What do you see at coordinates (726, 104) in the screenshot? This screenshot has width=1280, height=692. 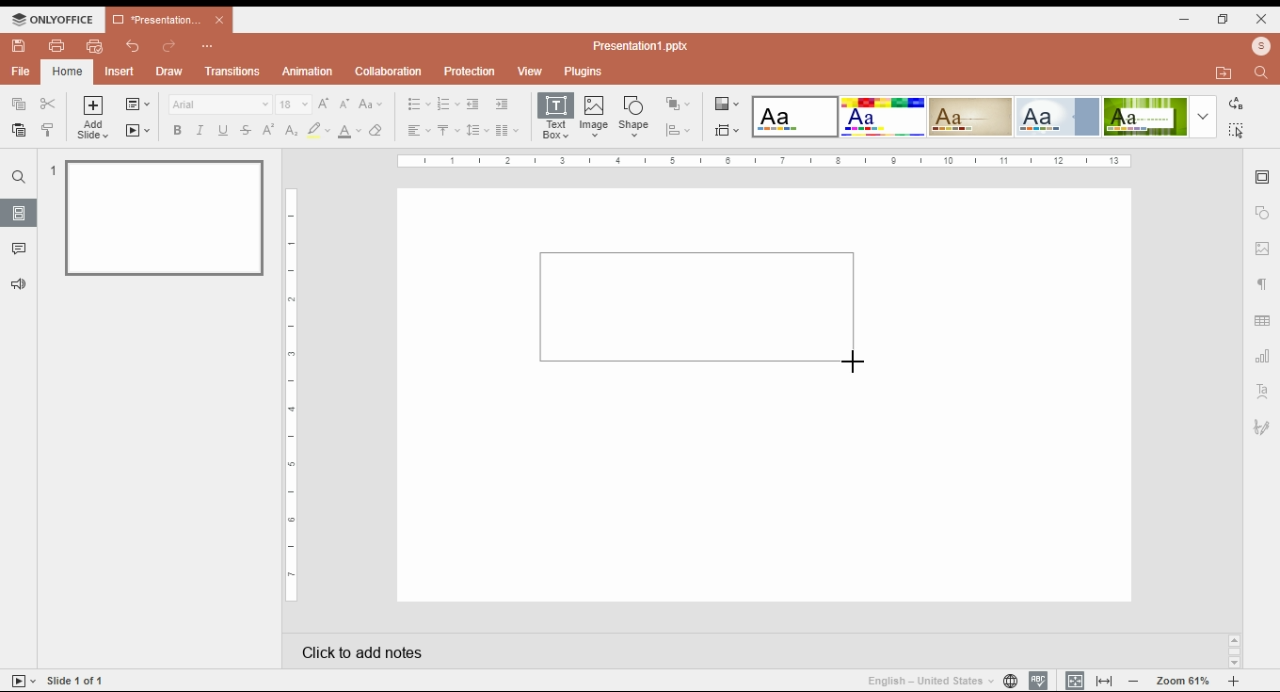 I see `color themes` at bounding box center [726, 104].